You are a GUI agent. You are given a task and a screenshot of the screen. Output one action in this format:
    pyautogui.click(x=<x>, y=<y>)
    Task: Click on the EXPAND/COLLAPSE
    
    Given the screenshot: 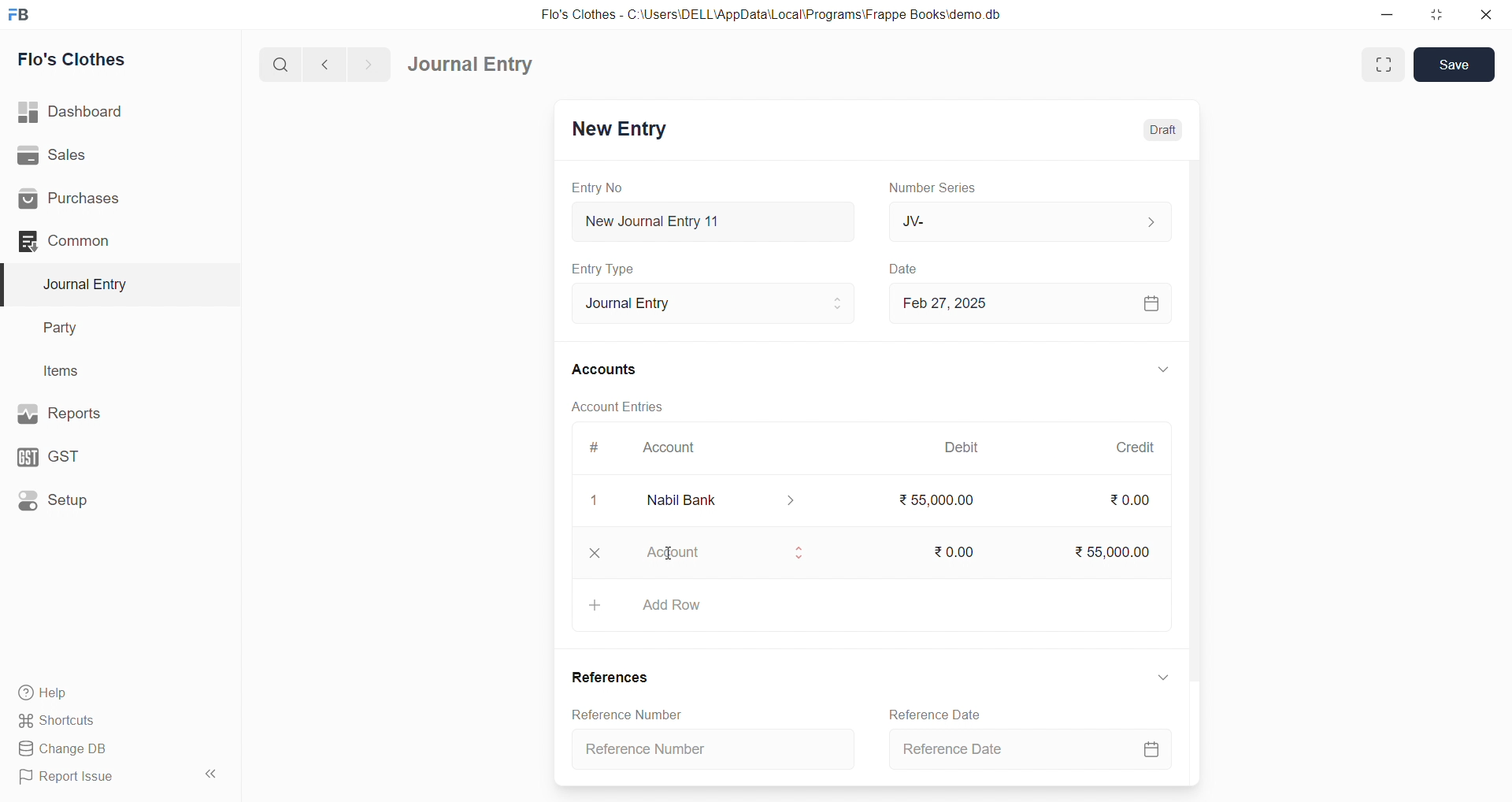 What is the action you would take?
    pyautogui.click(x=1165, y=677)
    